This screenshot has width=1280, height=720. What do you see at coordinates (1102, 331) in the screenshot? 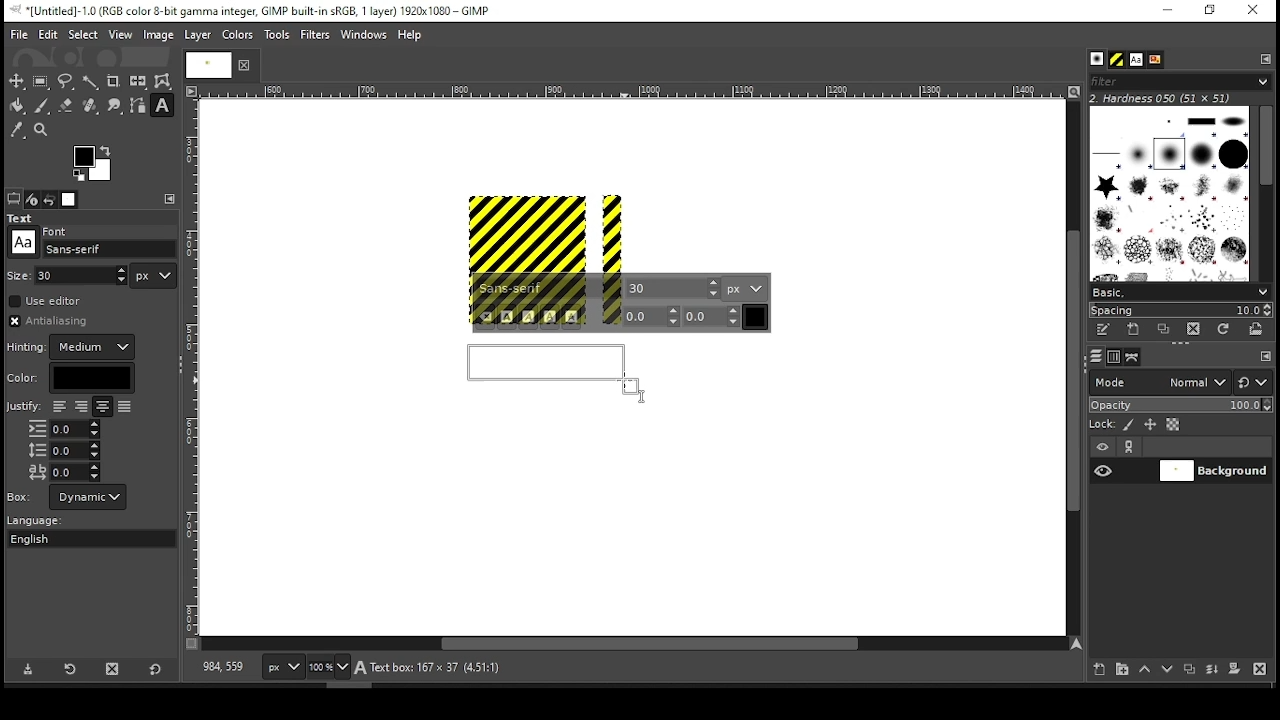
I see `edit this brush` at bounding box center [1102, 331].